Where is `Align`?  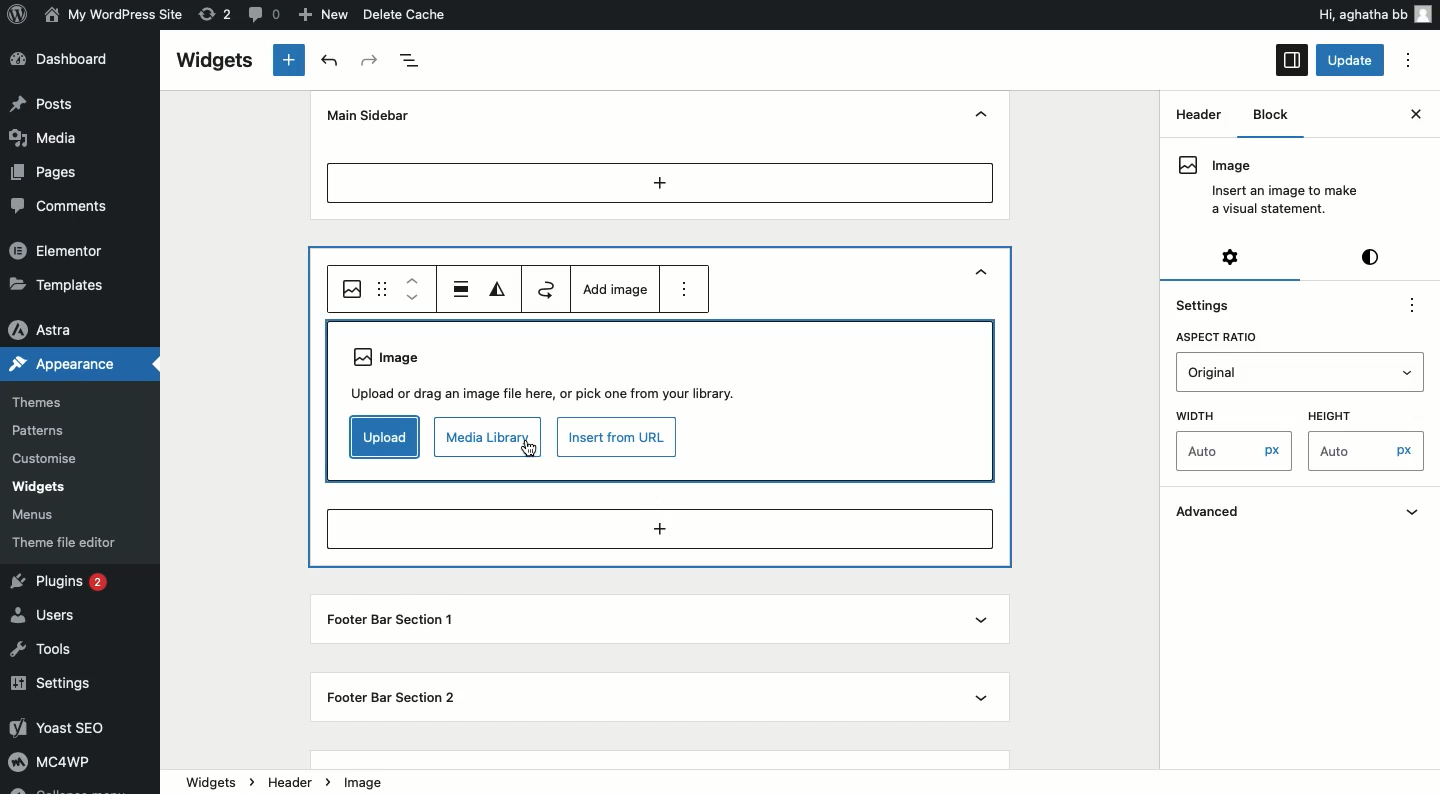 Align is located at coordinates (462, 288).